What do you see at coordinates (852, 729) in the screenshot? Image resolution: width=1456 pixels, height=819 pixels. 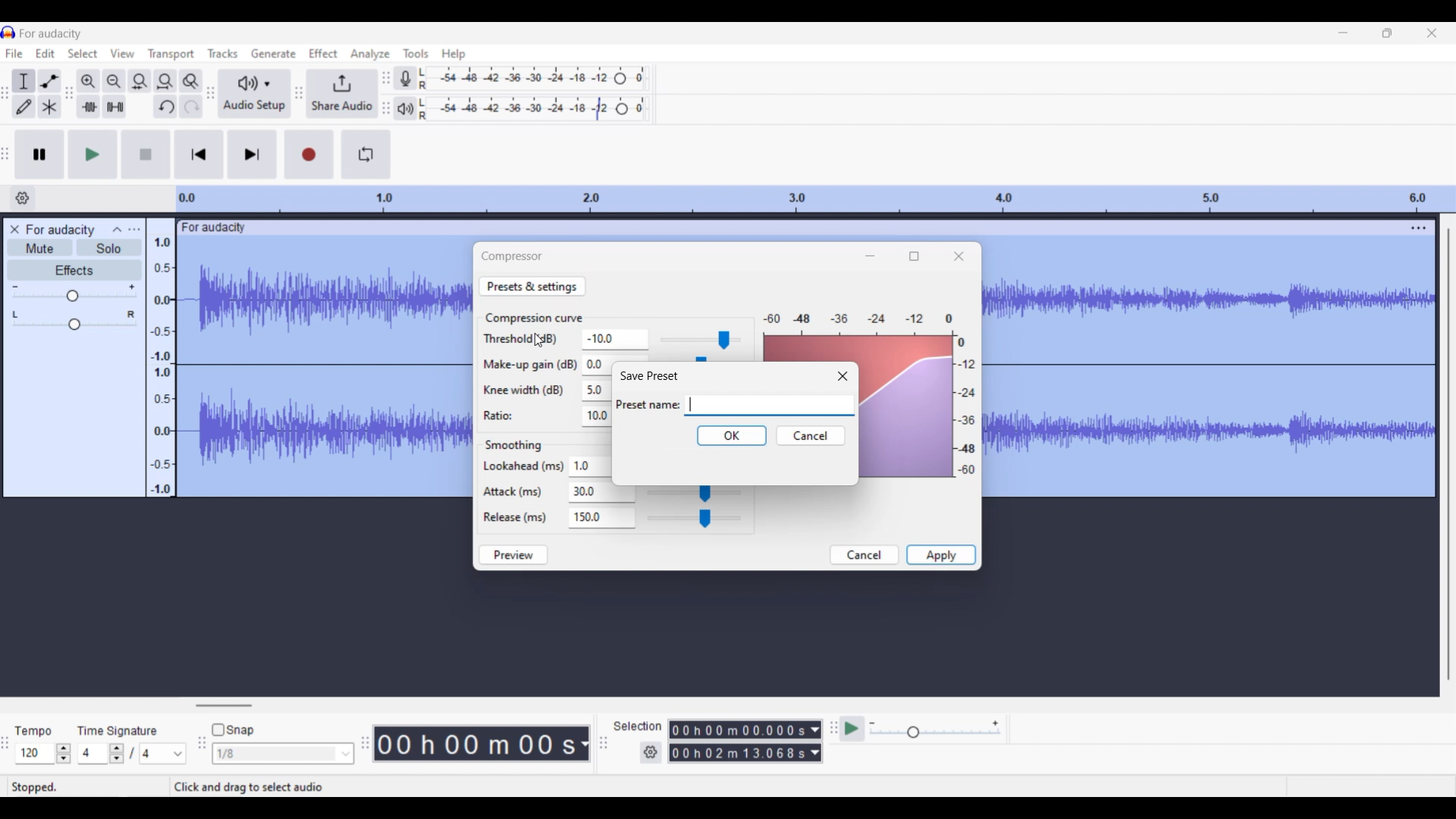 I see `Play at speed/Play at speed once` at bounding box center [852, 729].